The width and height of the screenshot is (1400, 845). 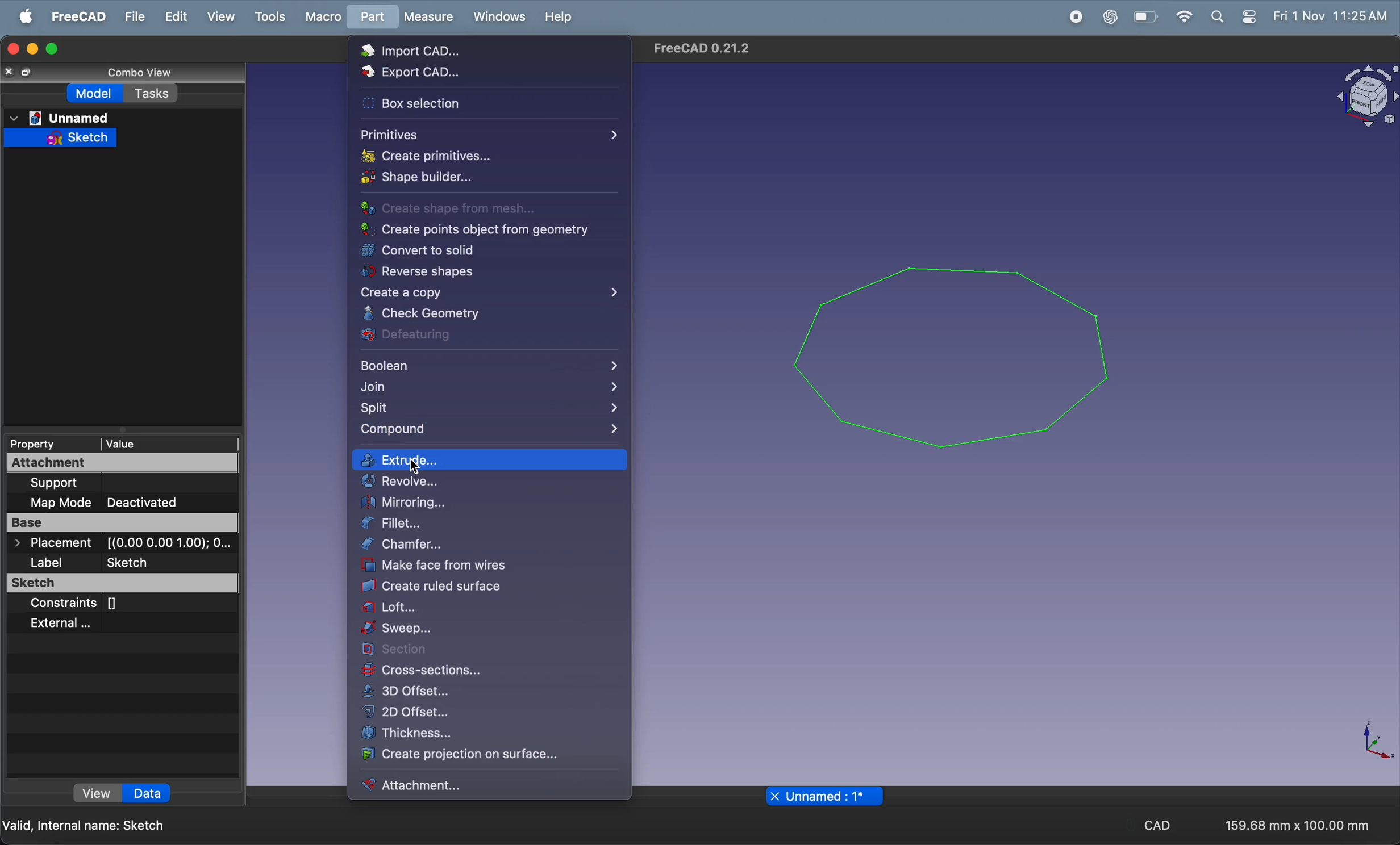 What do you see at coordinates (144, 502) in the screenshot?
I see `Deactivated` at bounding box center [144, 502].